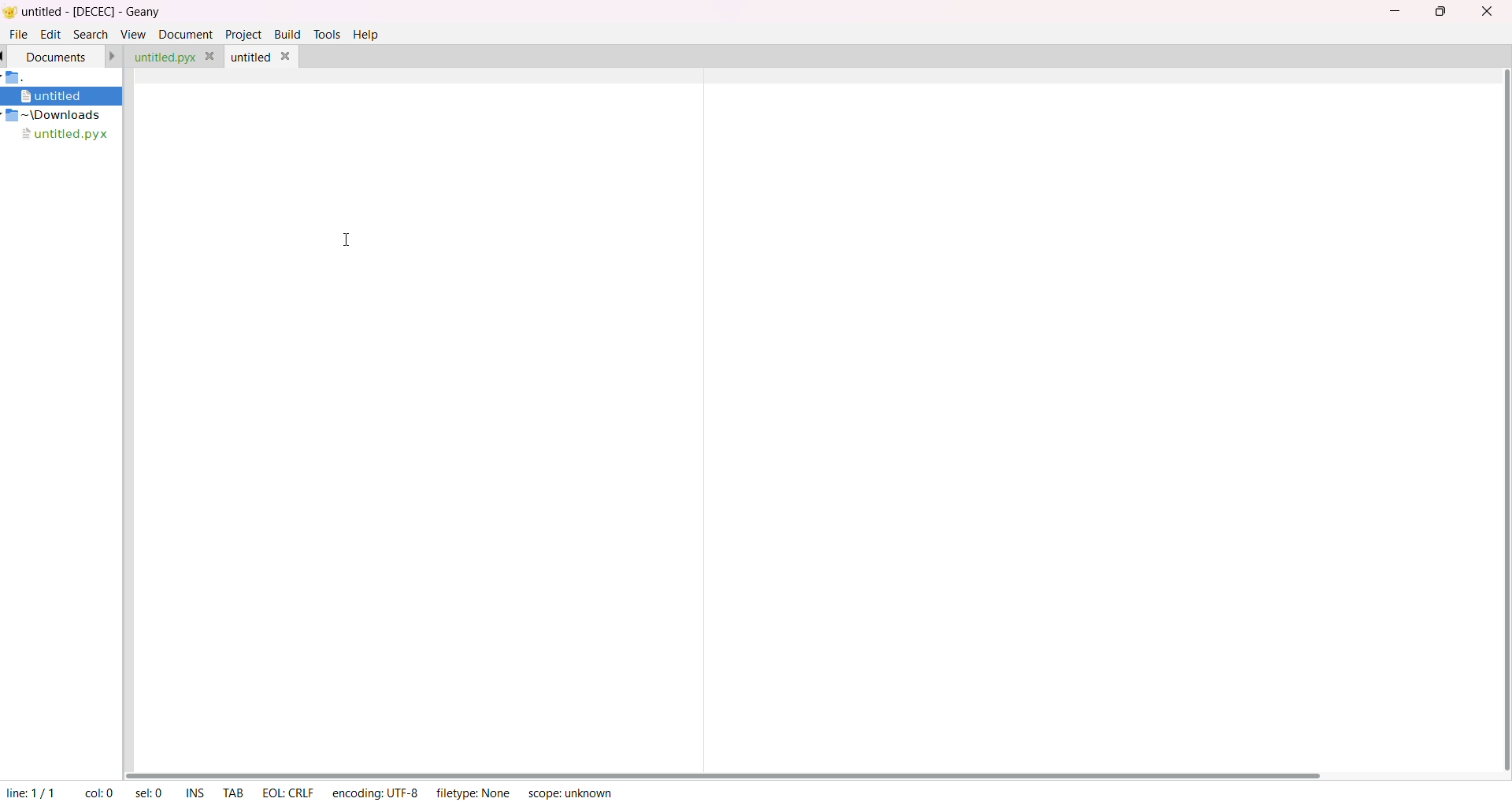 Image resolution: width=1512 pixels, height=802 pixels. I want to click on document, so click(184, 35).